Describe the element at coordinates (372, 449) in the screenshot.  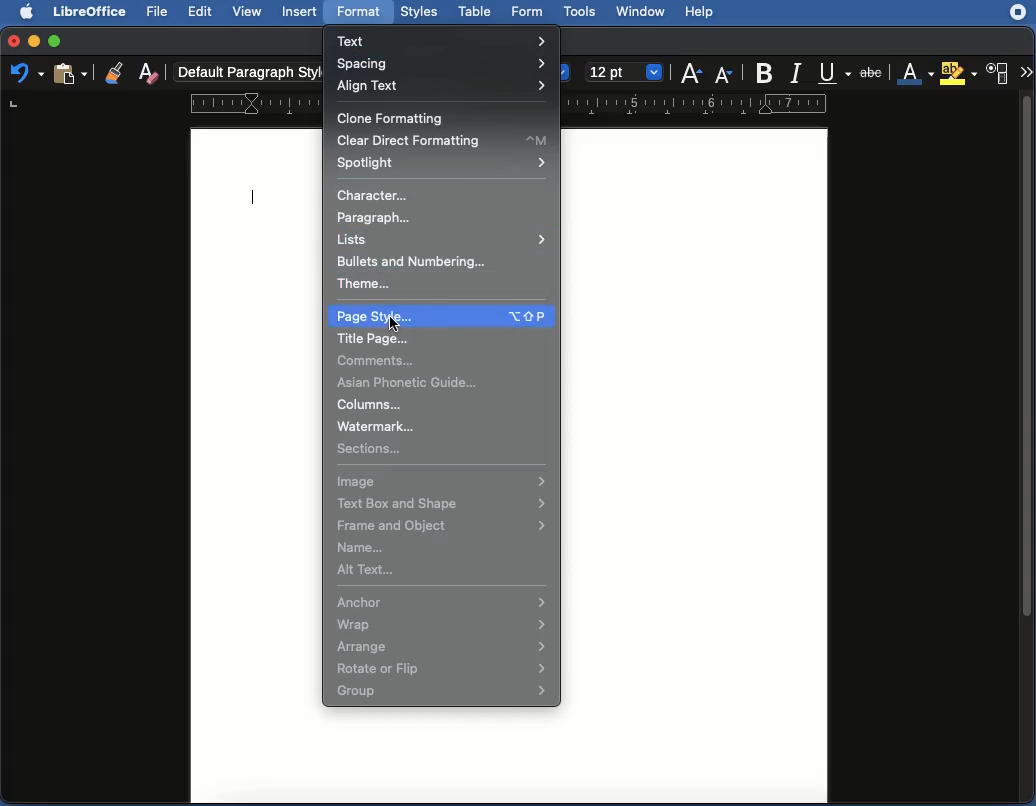
I see `Sections` at that location.